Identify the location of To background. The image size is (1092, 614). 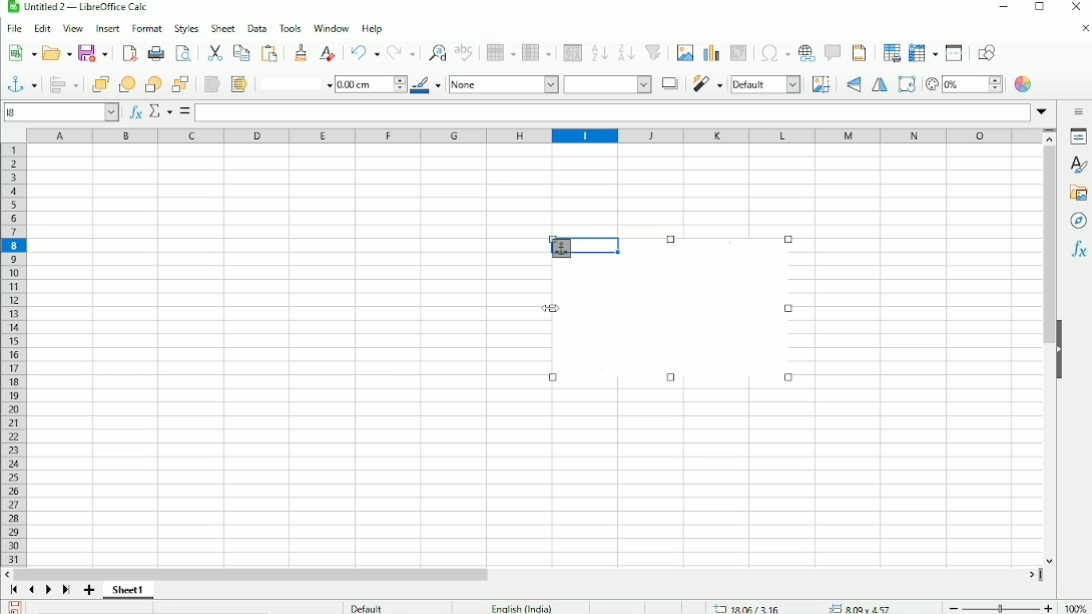
(237, 84).